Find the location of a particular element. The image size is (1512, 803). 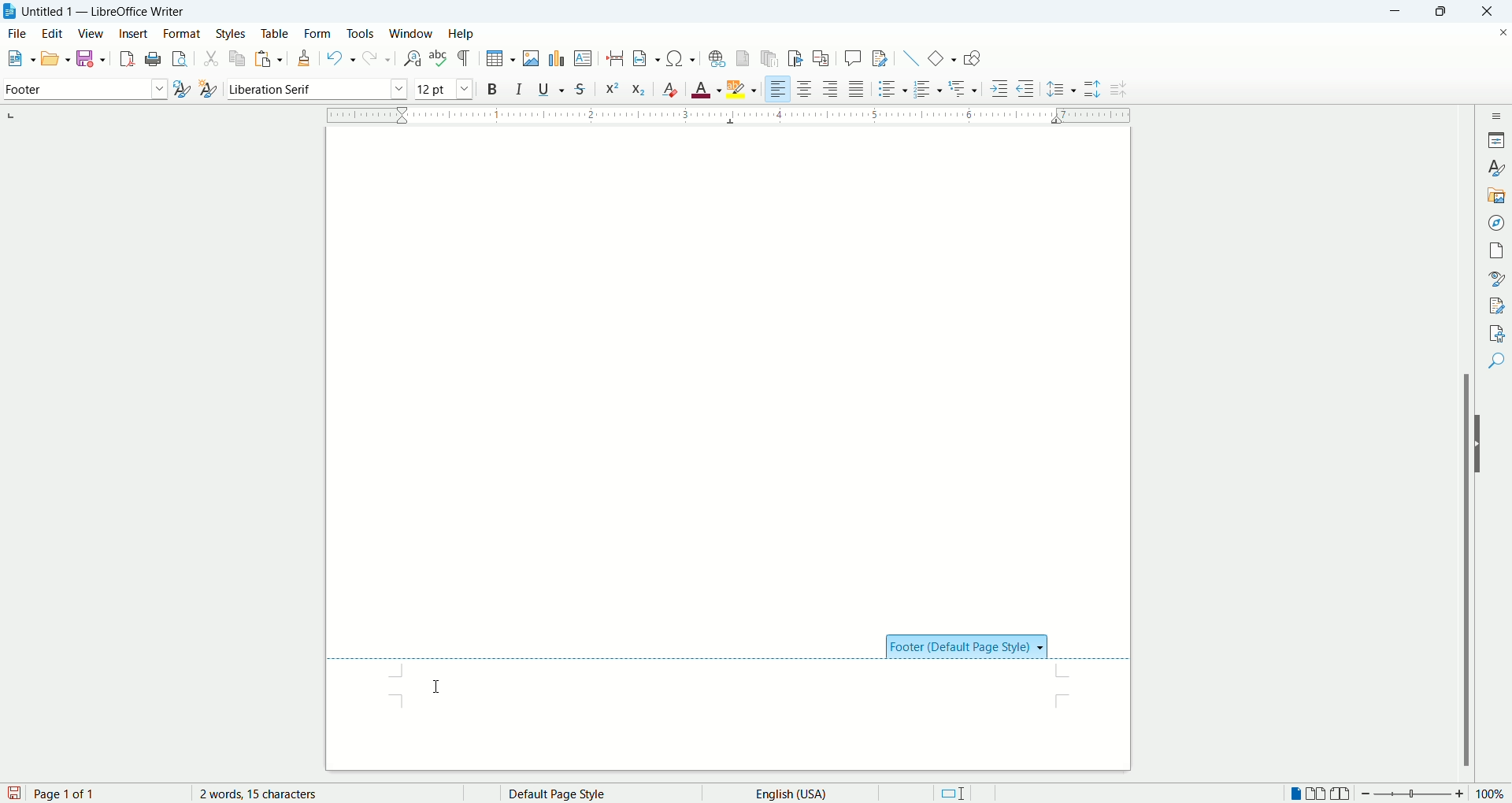

insert line is located at coordinates (909, 57).